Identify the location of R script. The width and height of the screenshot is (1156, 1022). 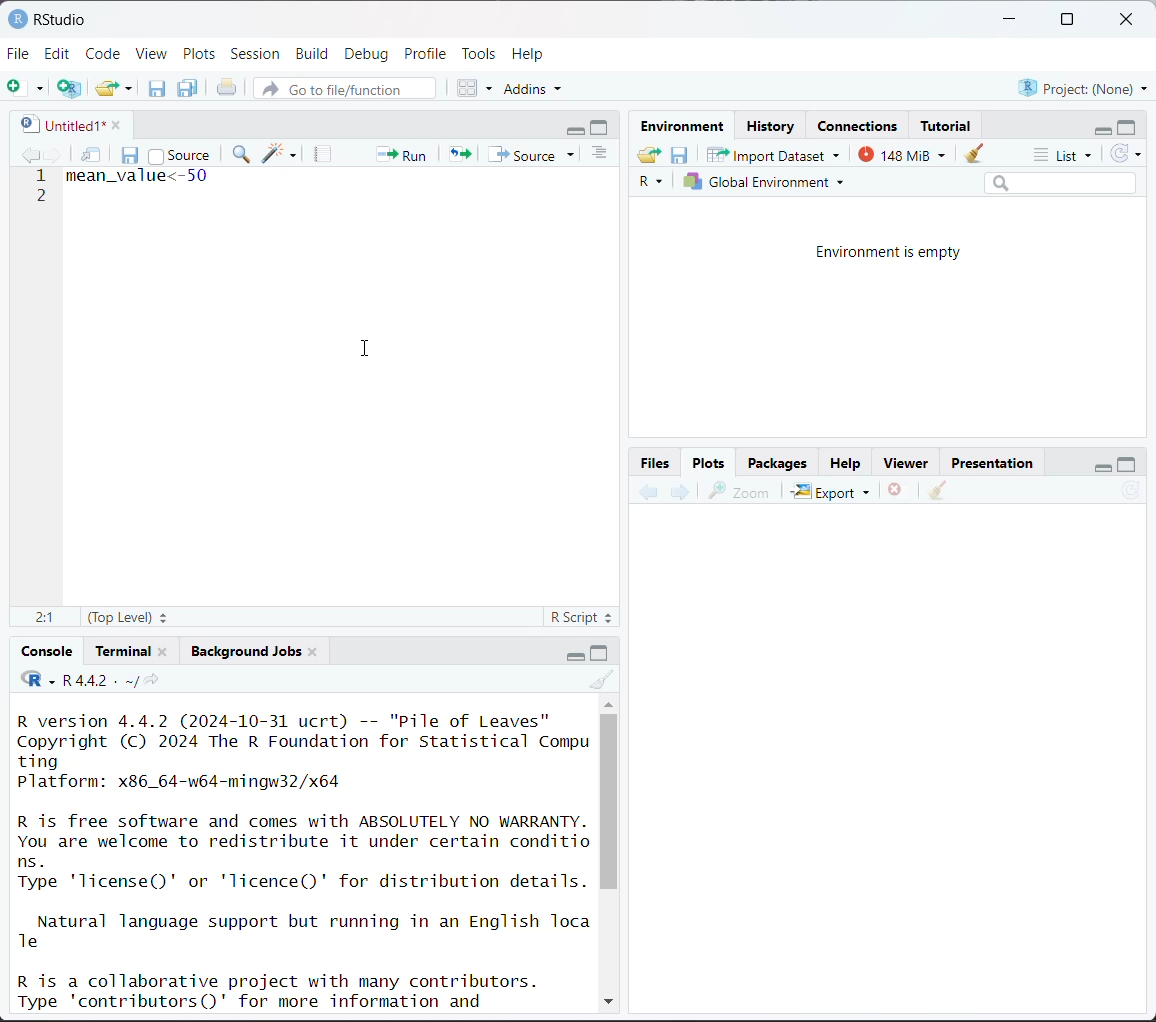
(582, 620).